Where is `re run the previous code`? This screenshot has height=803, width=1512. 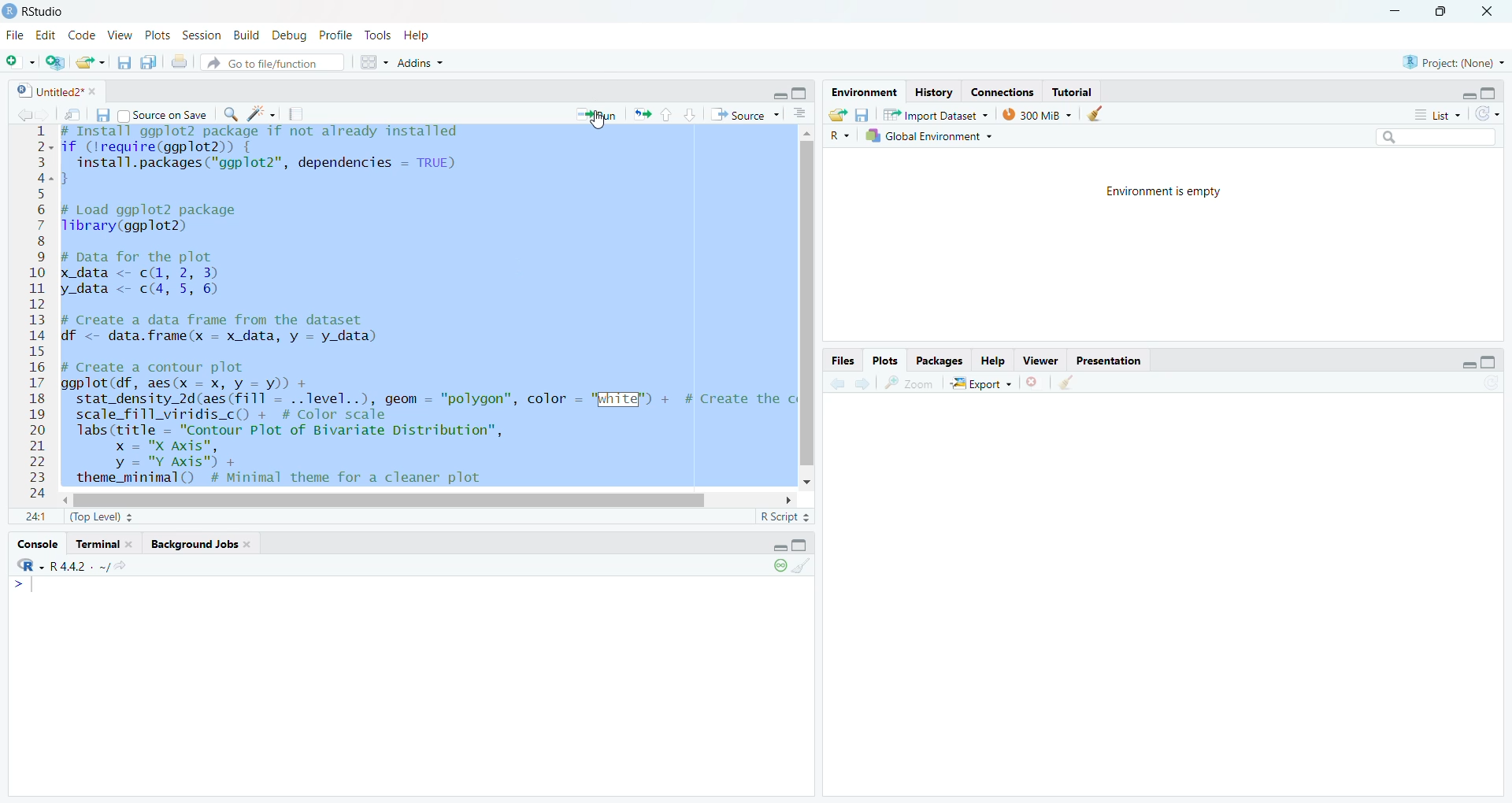
re run the previous code is located at coordinates (642, 113).